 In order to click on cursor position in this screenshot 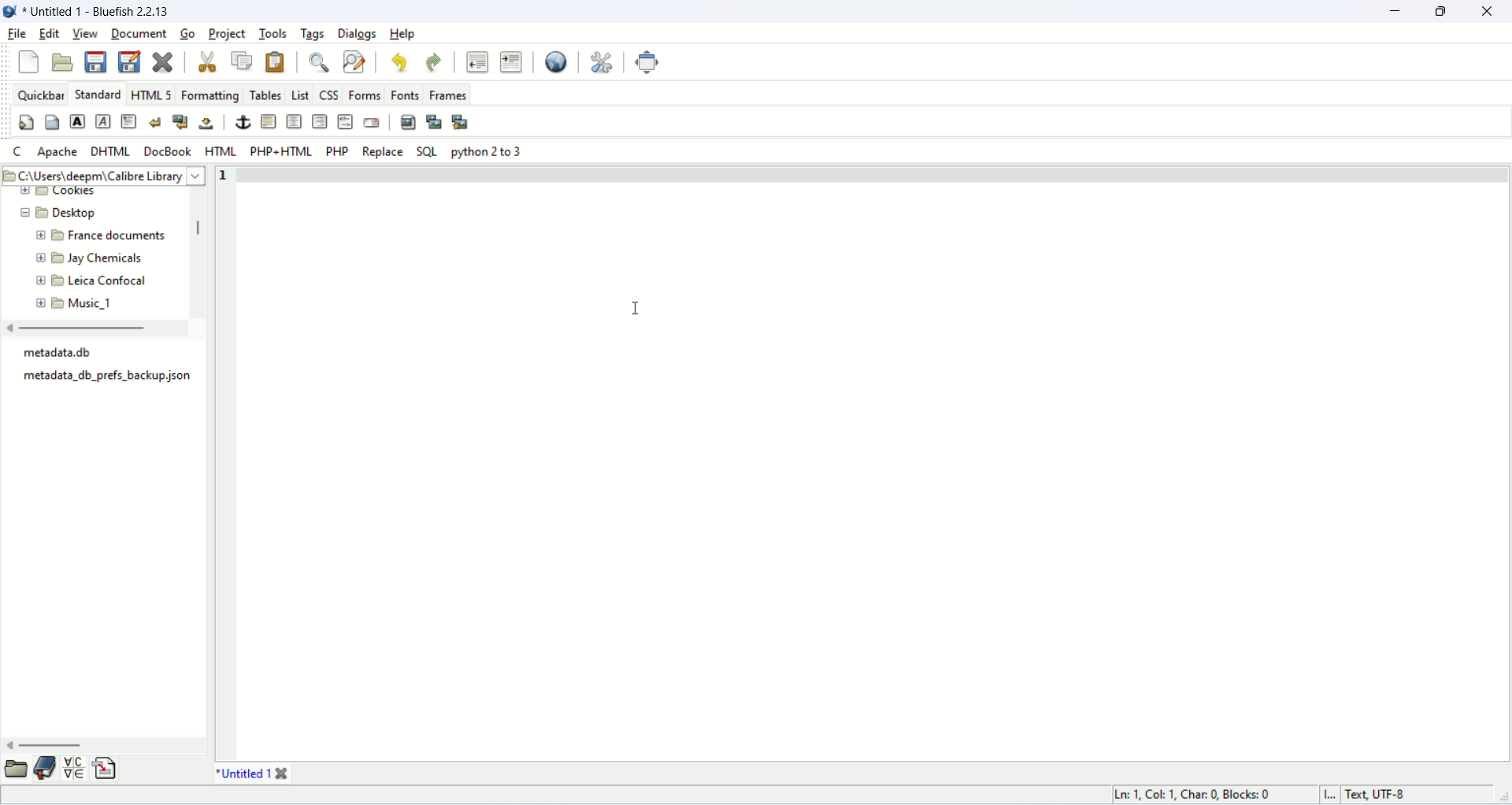, I will do `click(1198, 796)`.